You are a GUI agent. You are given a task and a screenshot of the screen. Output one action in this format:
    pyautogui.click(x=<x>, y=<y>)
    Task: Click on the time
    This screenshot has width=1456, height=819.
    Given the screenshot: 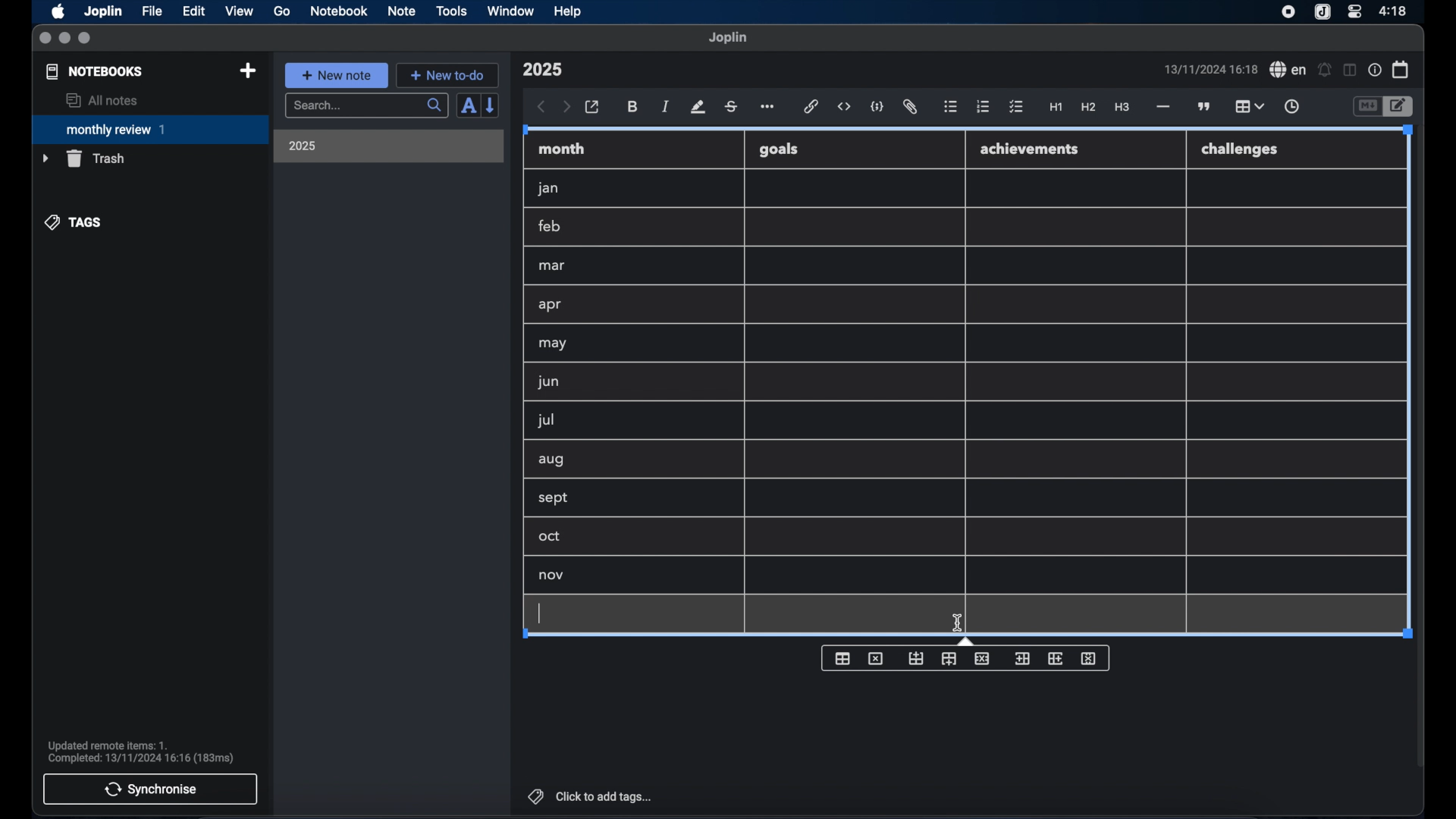 What is the action you would take?
    pyautogui.click(x=1395, y=11)
    